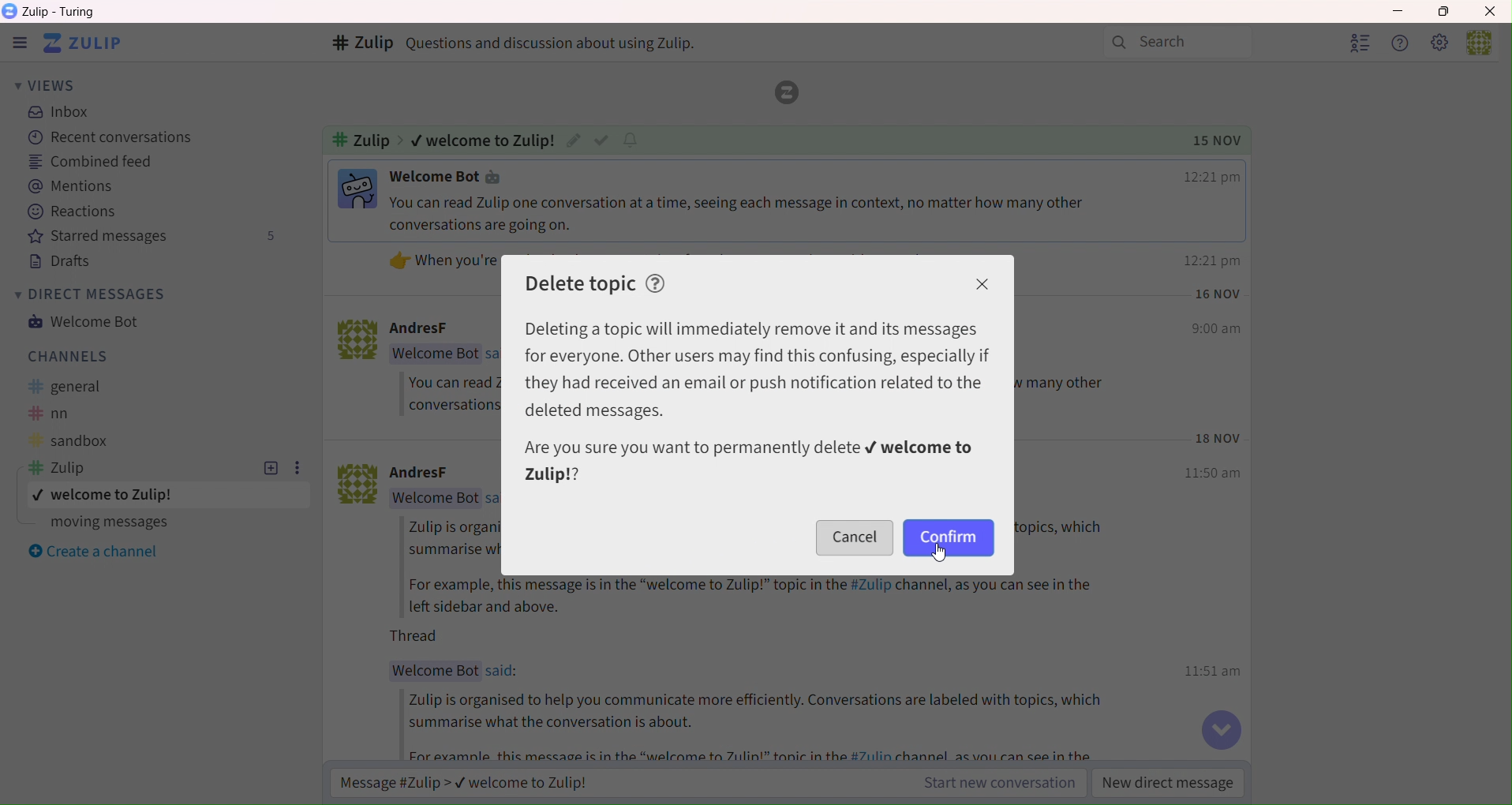 This screenshot has height=805, width=1512. I want to click on Add, so click(270, 469).